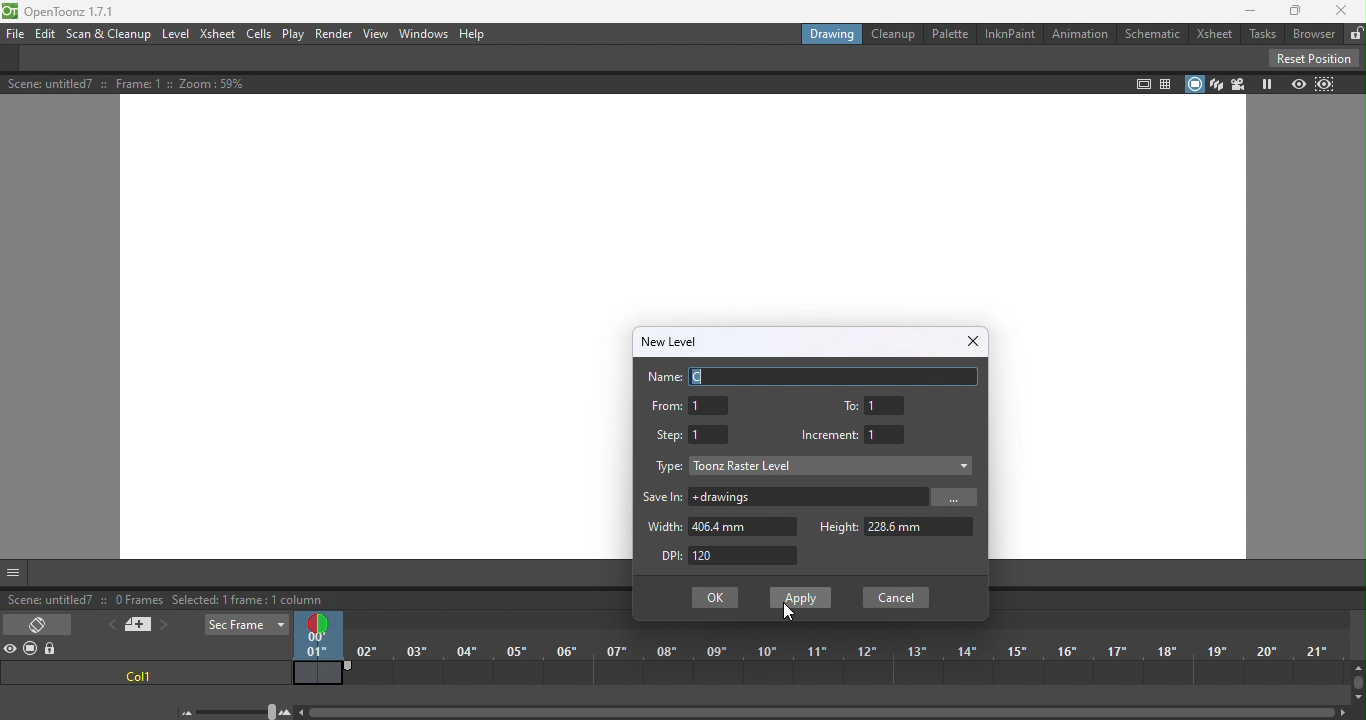  I want to click on Safe area, so click(1142, 83).